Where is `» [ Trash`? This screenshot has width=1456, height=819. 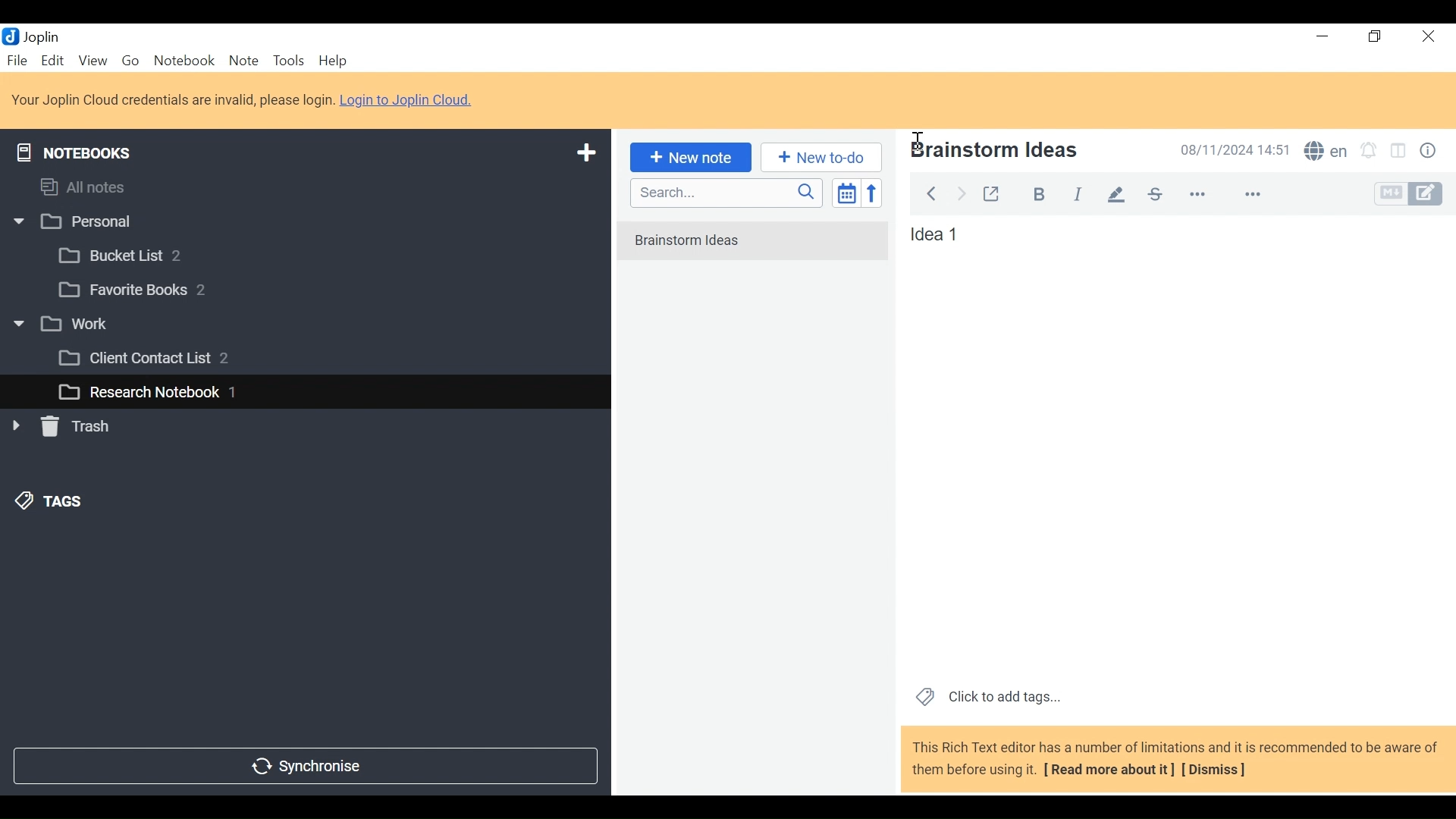
» [ Trash is located at coordinates (80, 426).